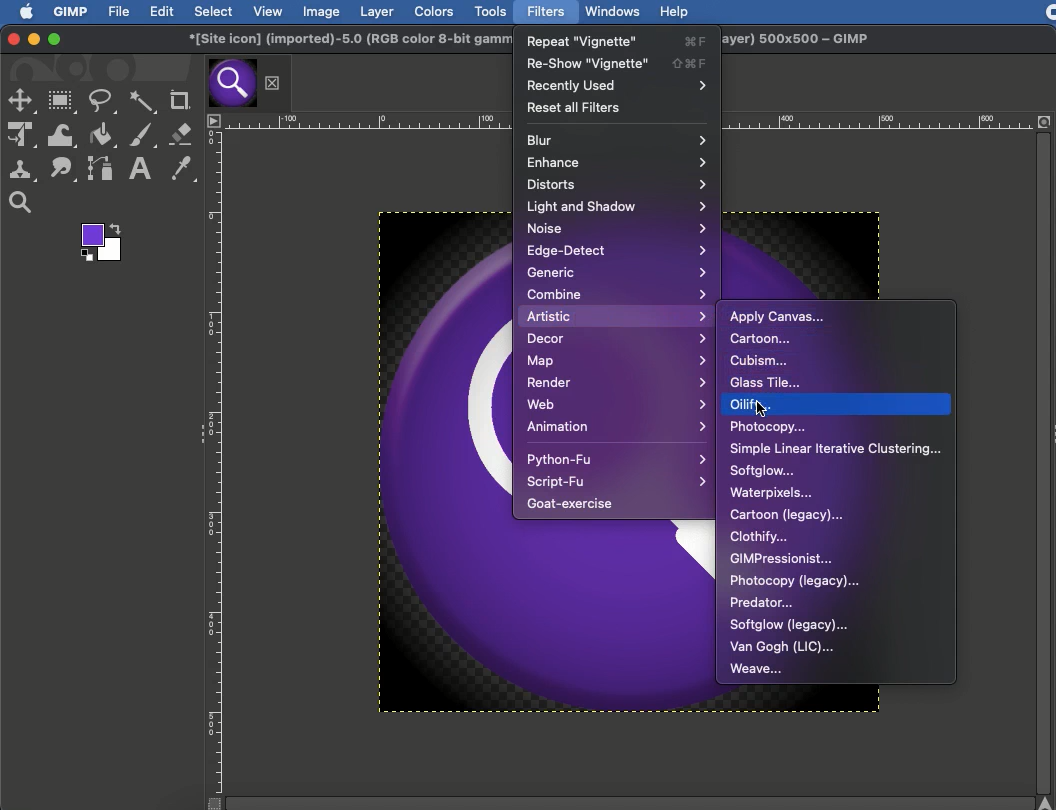 This screenshot has width=1056, height=810. Describe the element at coordinates (755, 404) in the screenshot. I see `Oilify` at that location.